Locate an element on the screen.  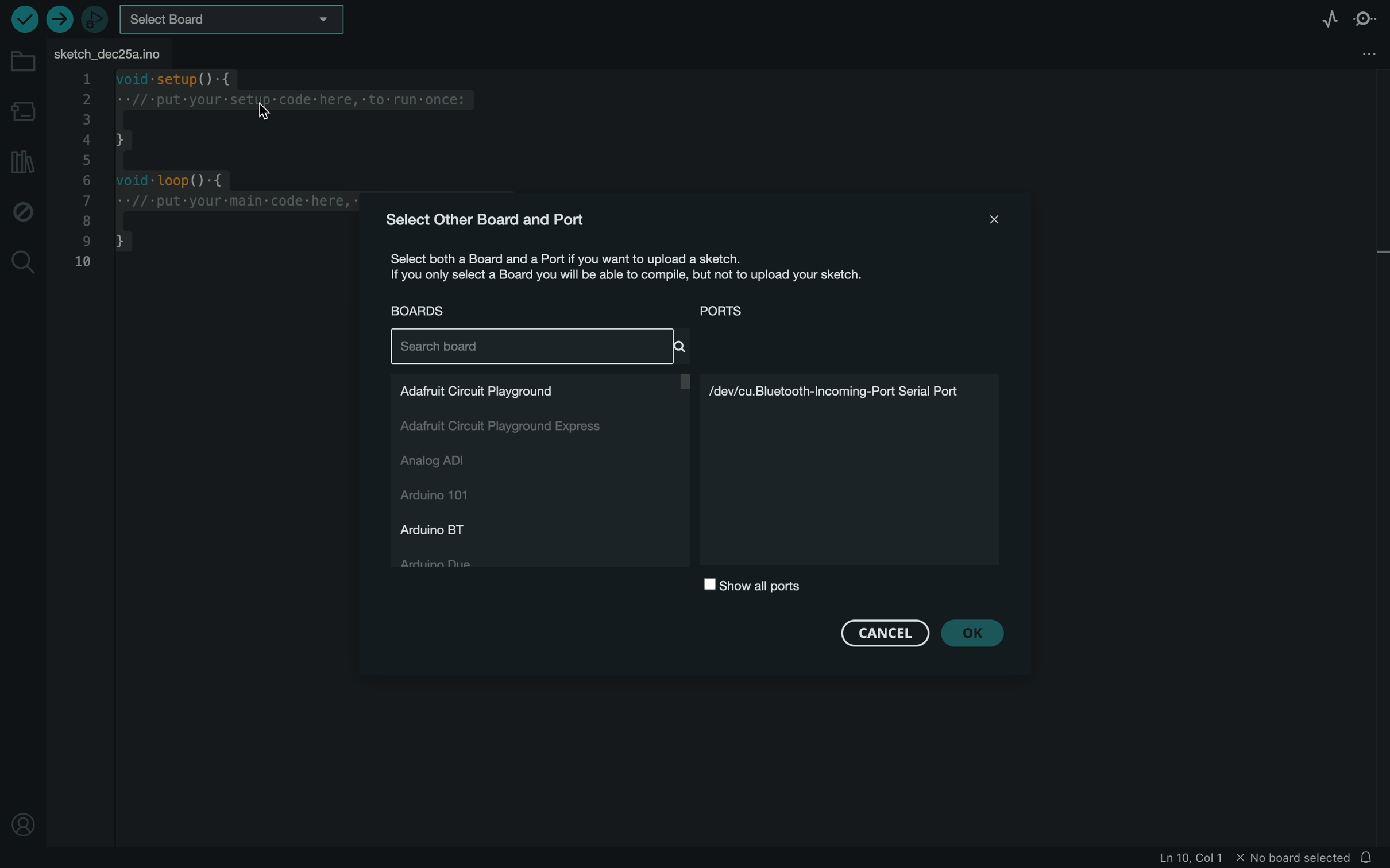
verify is located at coordinates (25, 19).